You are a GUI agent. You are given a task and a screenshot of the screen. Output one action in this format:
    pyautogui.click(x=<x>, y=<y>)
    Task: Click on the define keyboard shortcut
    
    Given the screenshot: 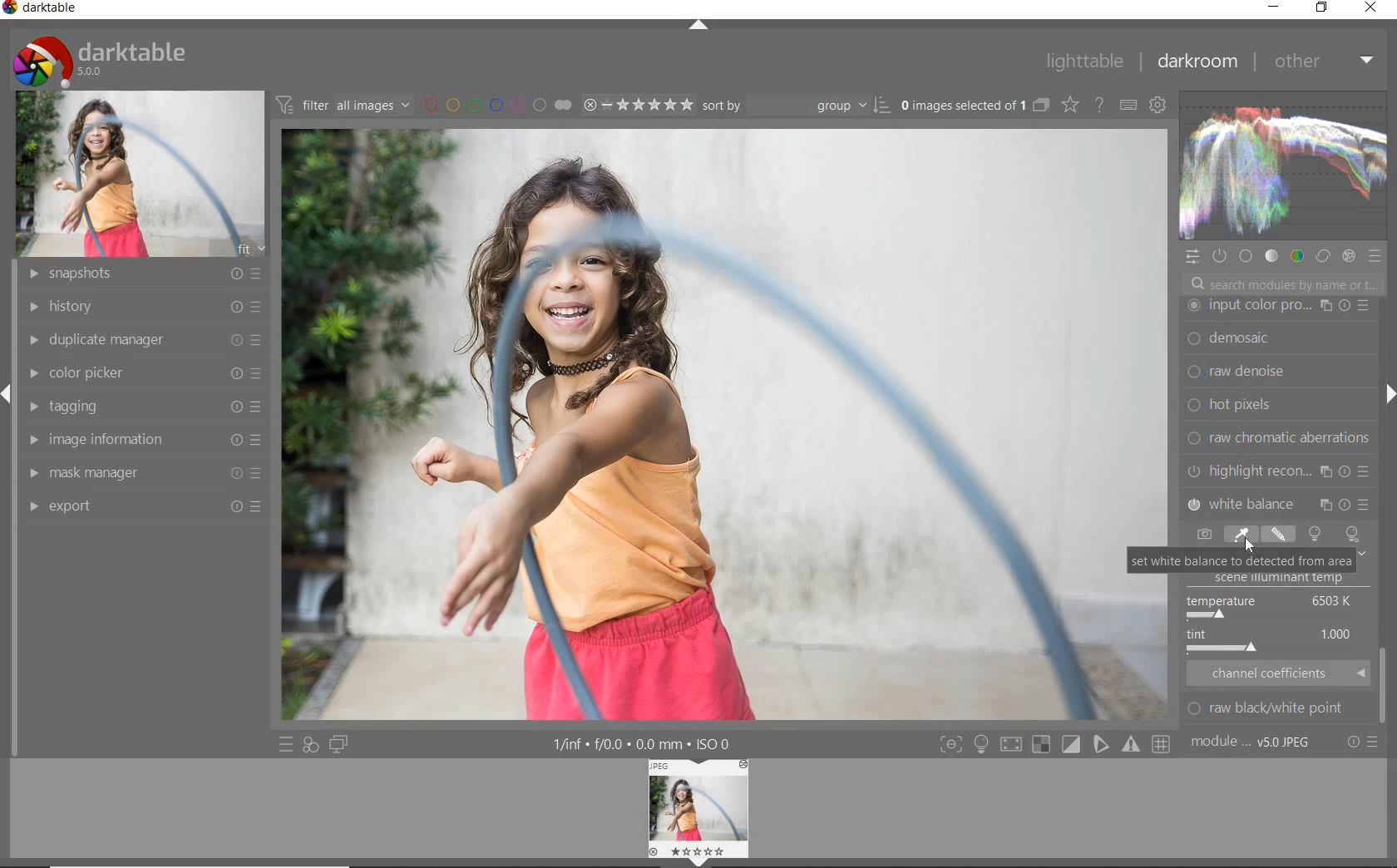 What is the action you would take?
    pyautogui.click(x=1128, y=105)
    